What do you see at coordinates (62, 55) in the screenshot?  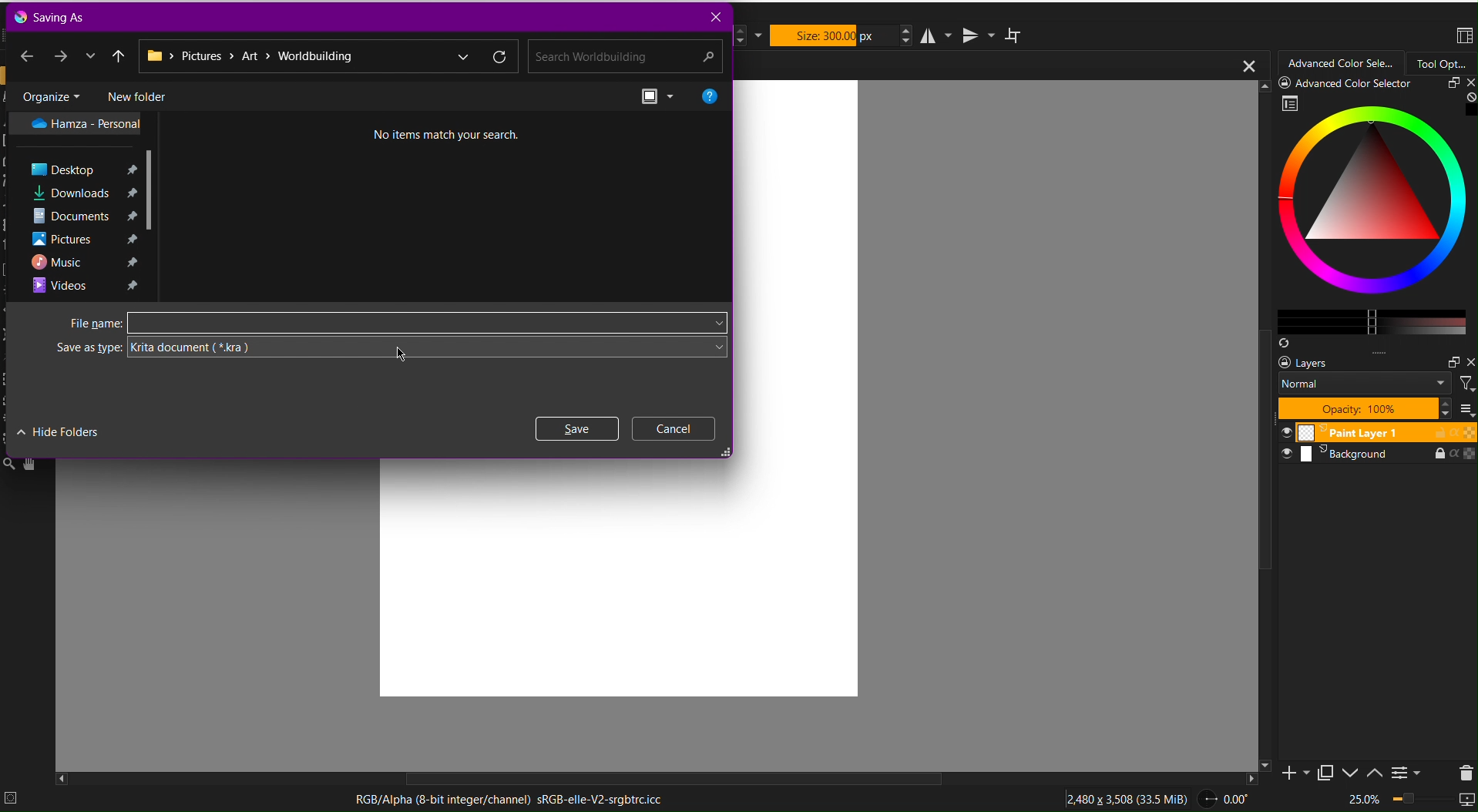 I see `Next` at bounding box center [62, 55].